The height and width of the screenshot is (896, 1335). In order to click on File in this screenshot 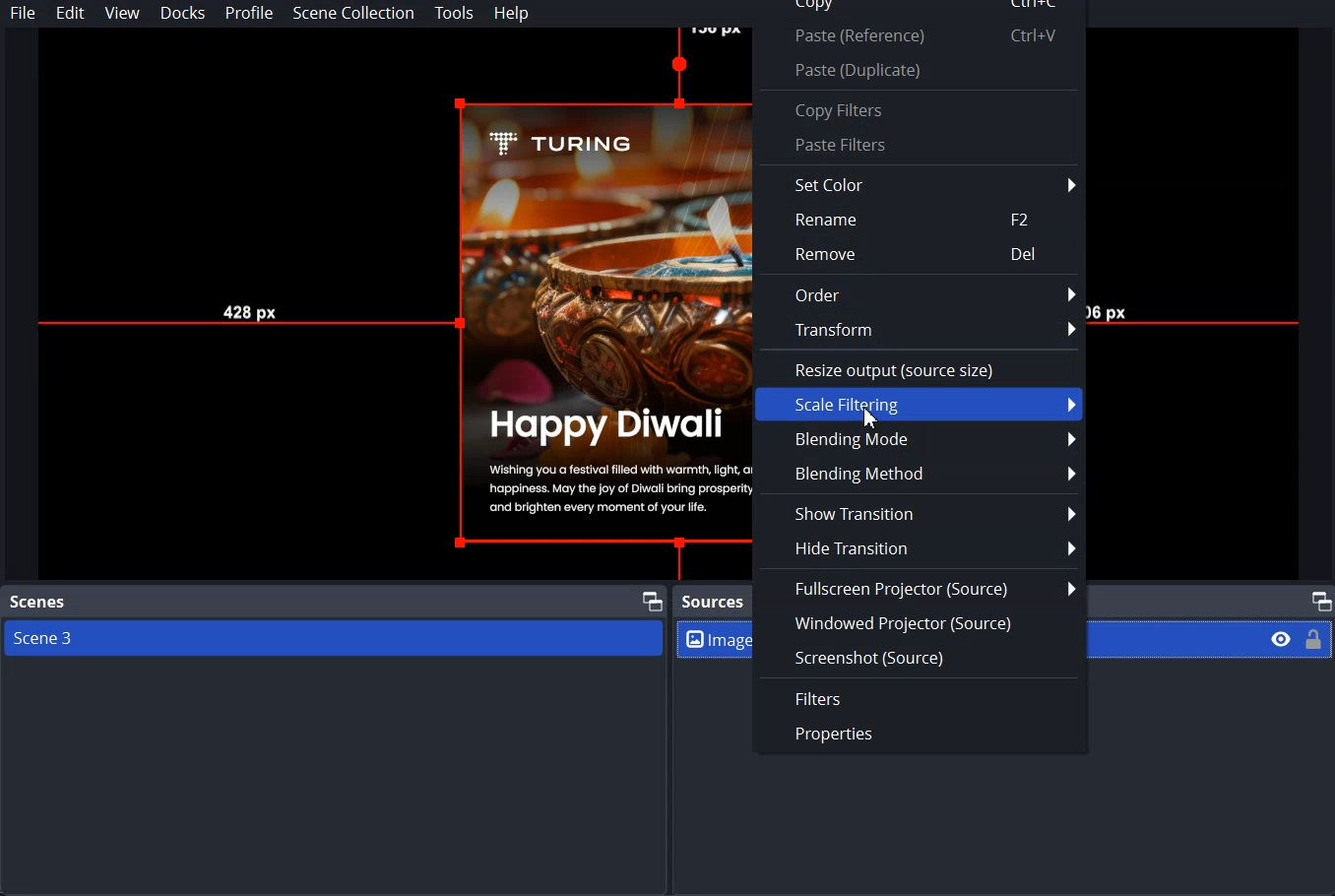, I will do `click(24, 13)`.